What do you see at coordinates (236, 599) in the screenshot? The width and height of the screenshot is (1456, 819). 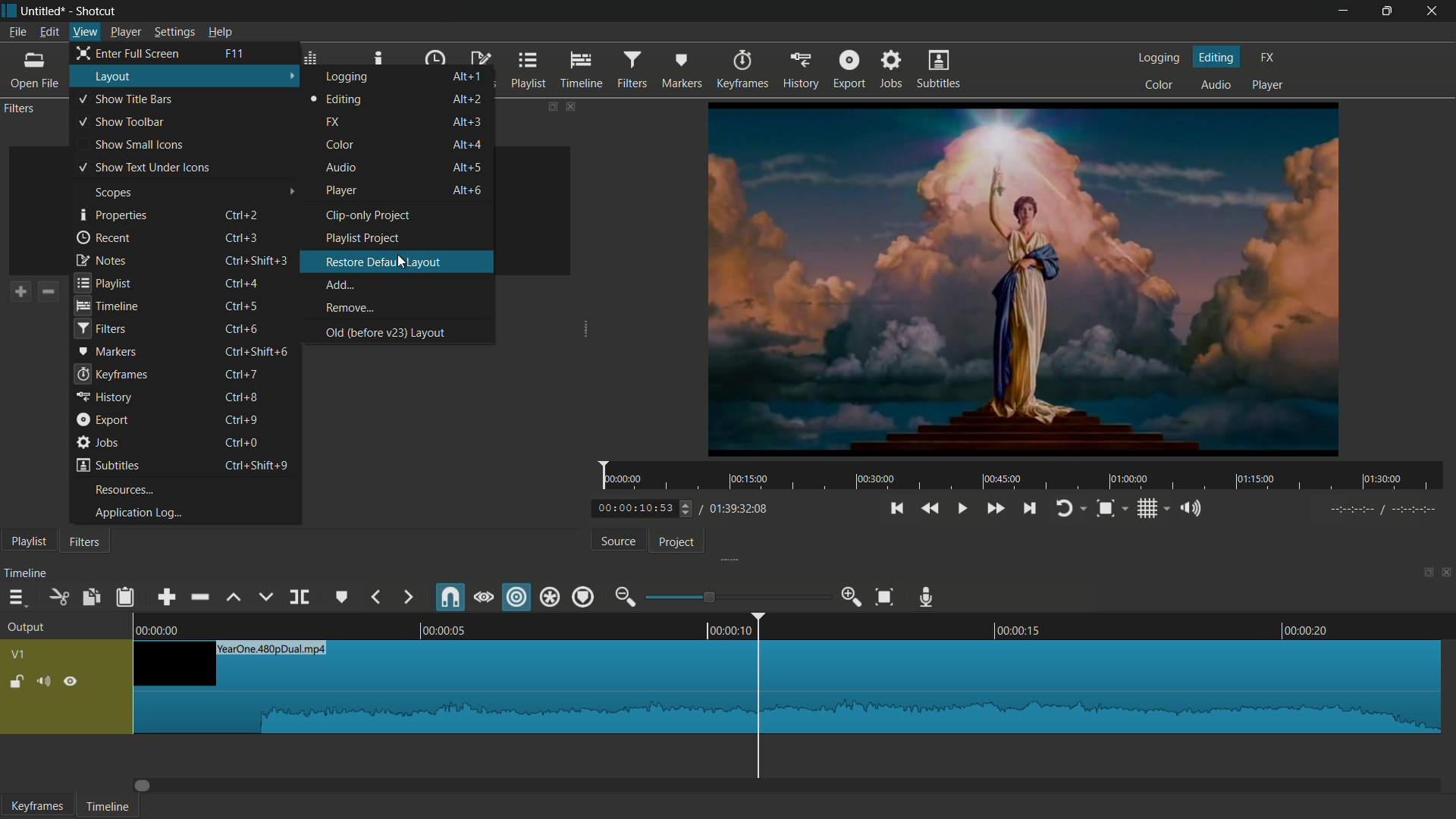 I see `lift` at bounding box center [236, 599].